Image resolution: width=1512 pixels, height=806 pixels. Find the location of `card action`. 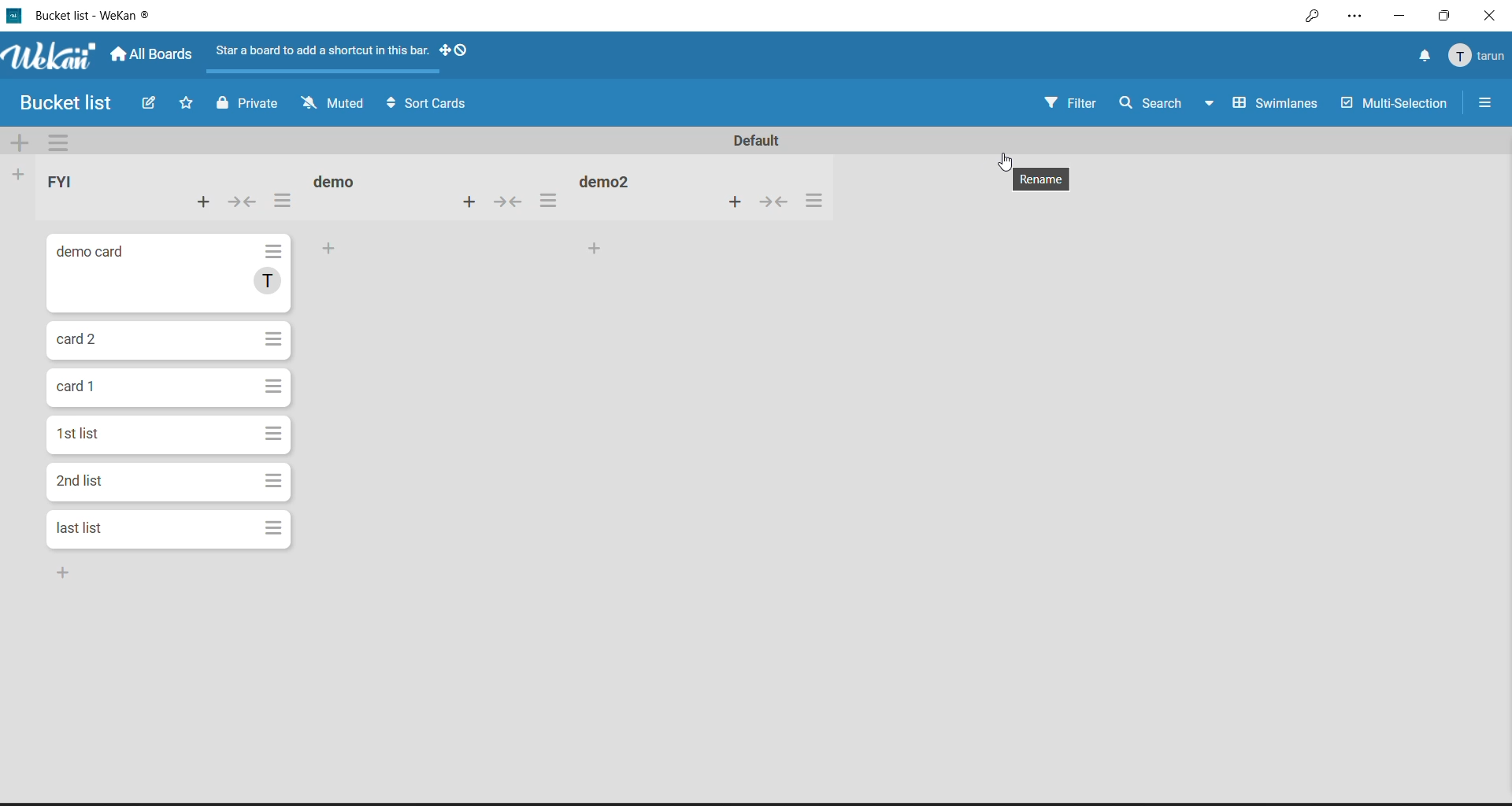

card action is located at coordinates (269, 529).